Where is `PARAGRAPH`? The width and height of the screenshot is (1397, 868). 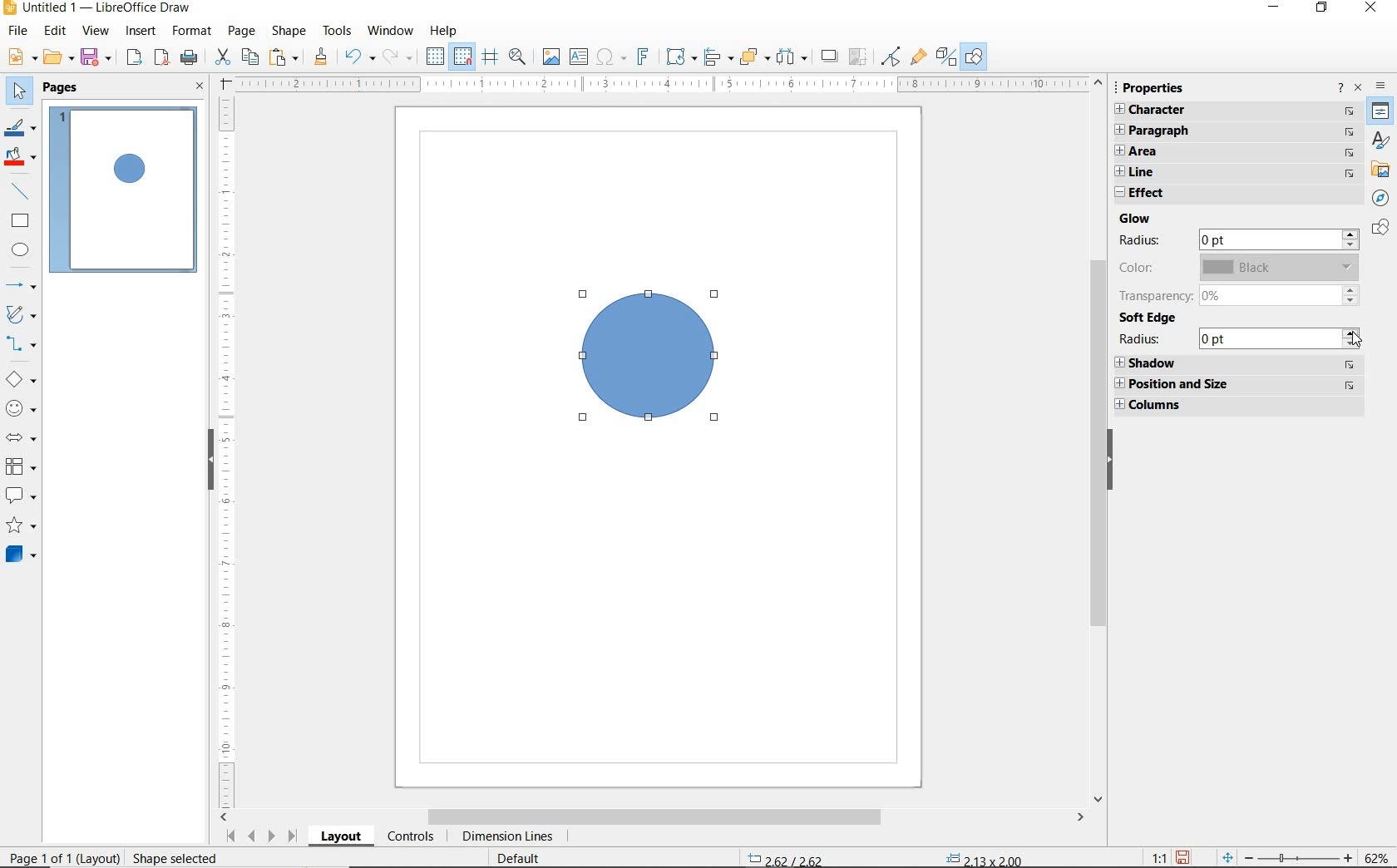
PARAGRAPH is located at coordinates (1222, 131).